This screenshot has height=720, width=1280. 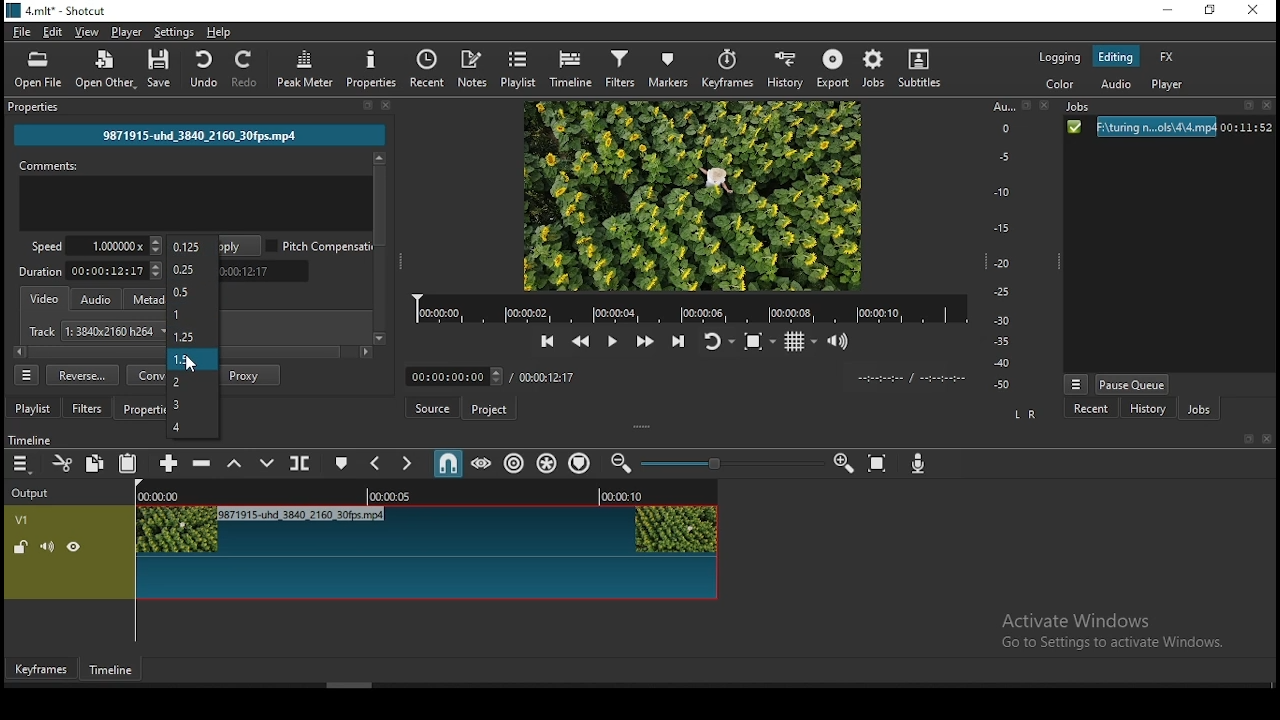 What do you see at coordinates (59, 463) in the screenshot?
I see `cut` at bounding box center [59, 463].